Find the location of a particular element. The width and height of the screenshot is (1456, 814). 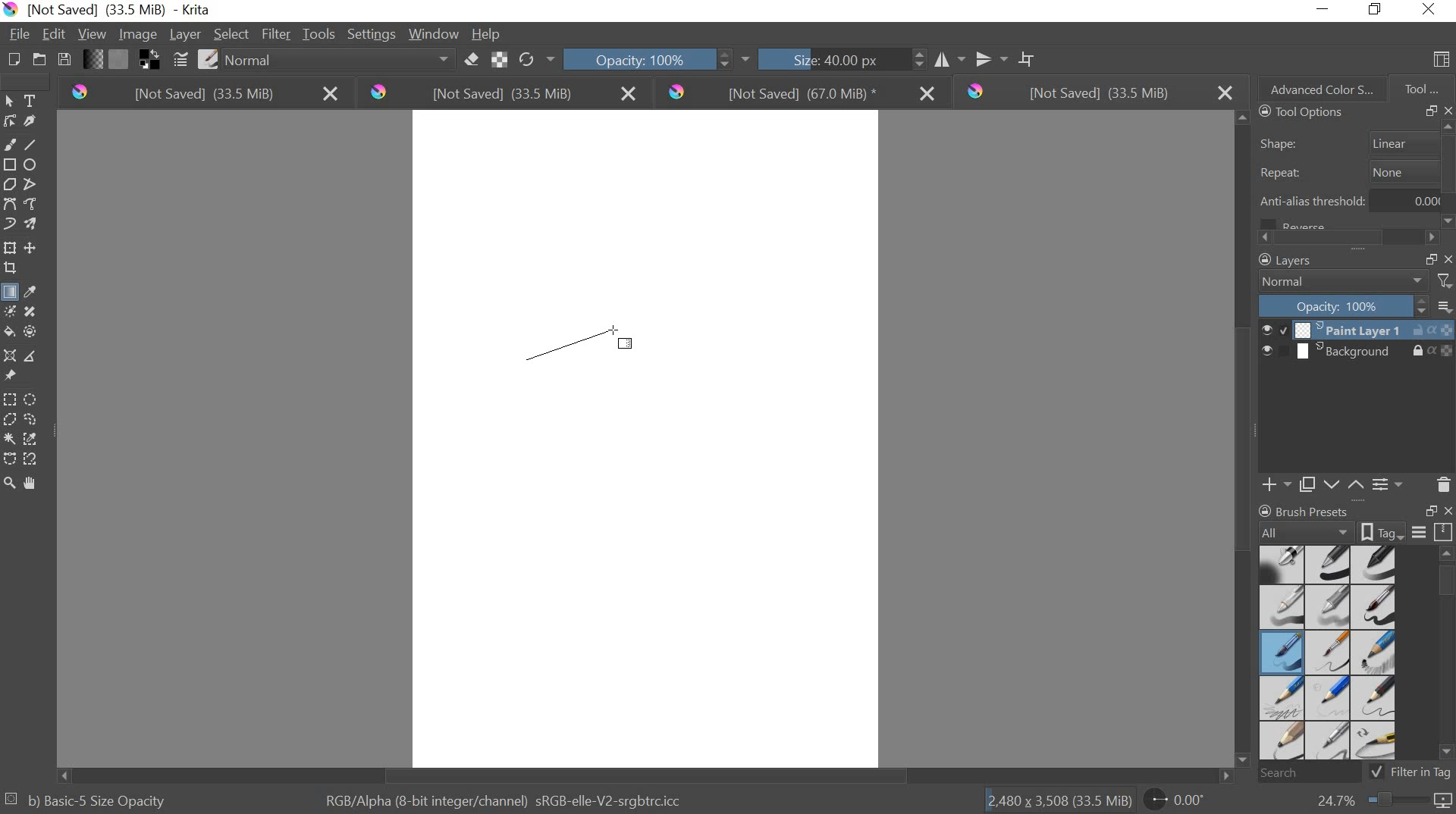

freehand selection is located at coordinates (33, 421).